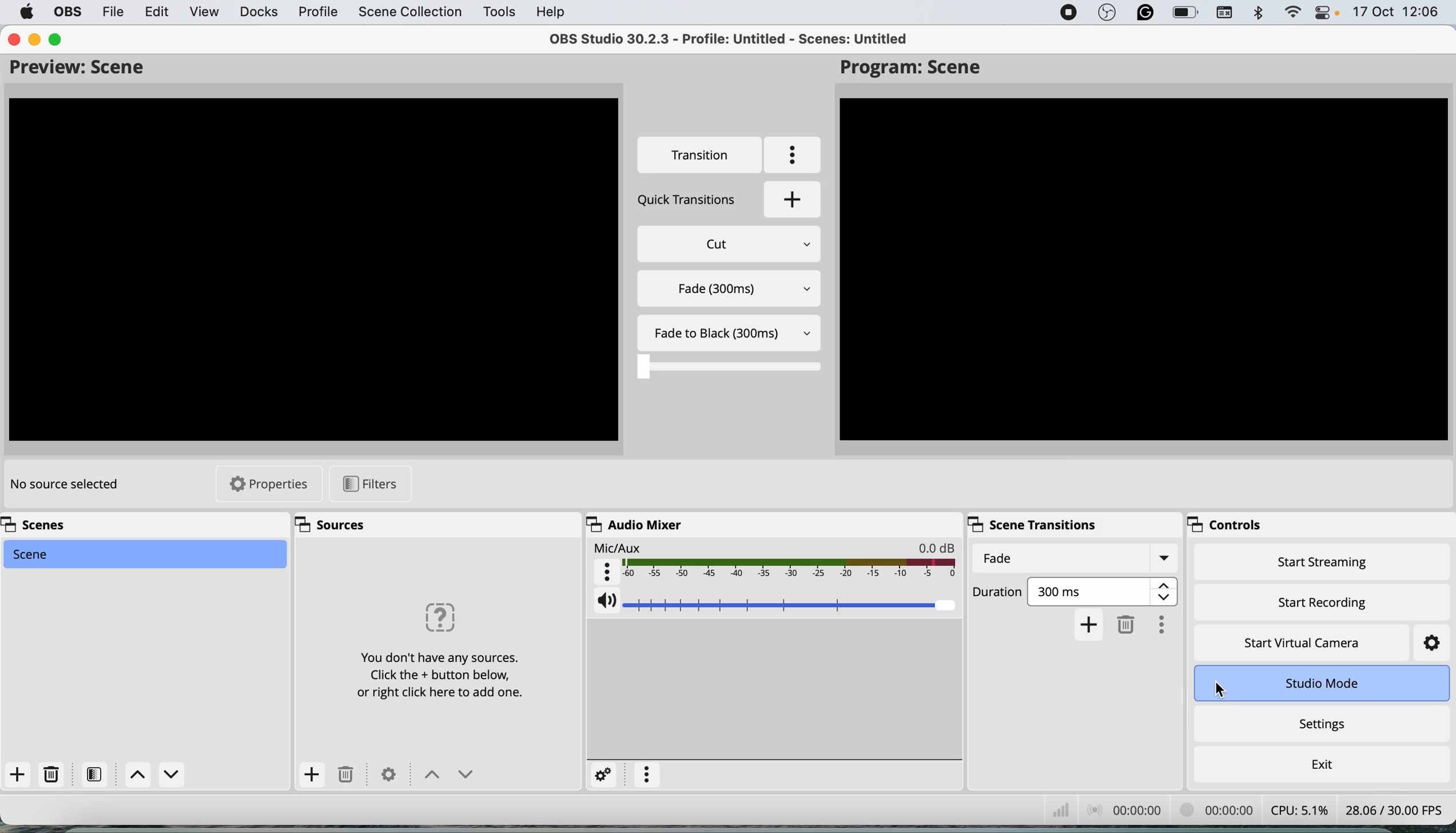 The height and width of the screenshot is (833, 1456). What do you see at coordinates (79, 69) in the screenshot?
I see `preview scene` at bounding box center [79, 69].